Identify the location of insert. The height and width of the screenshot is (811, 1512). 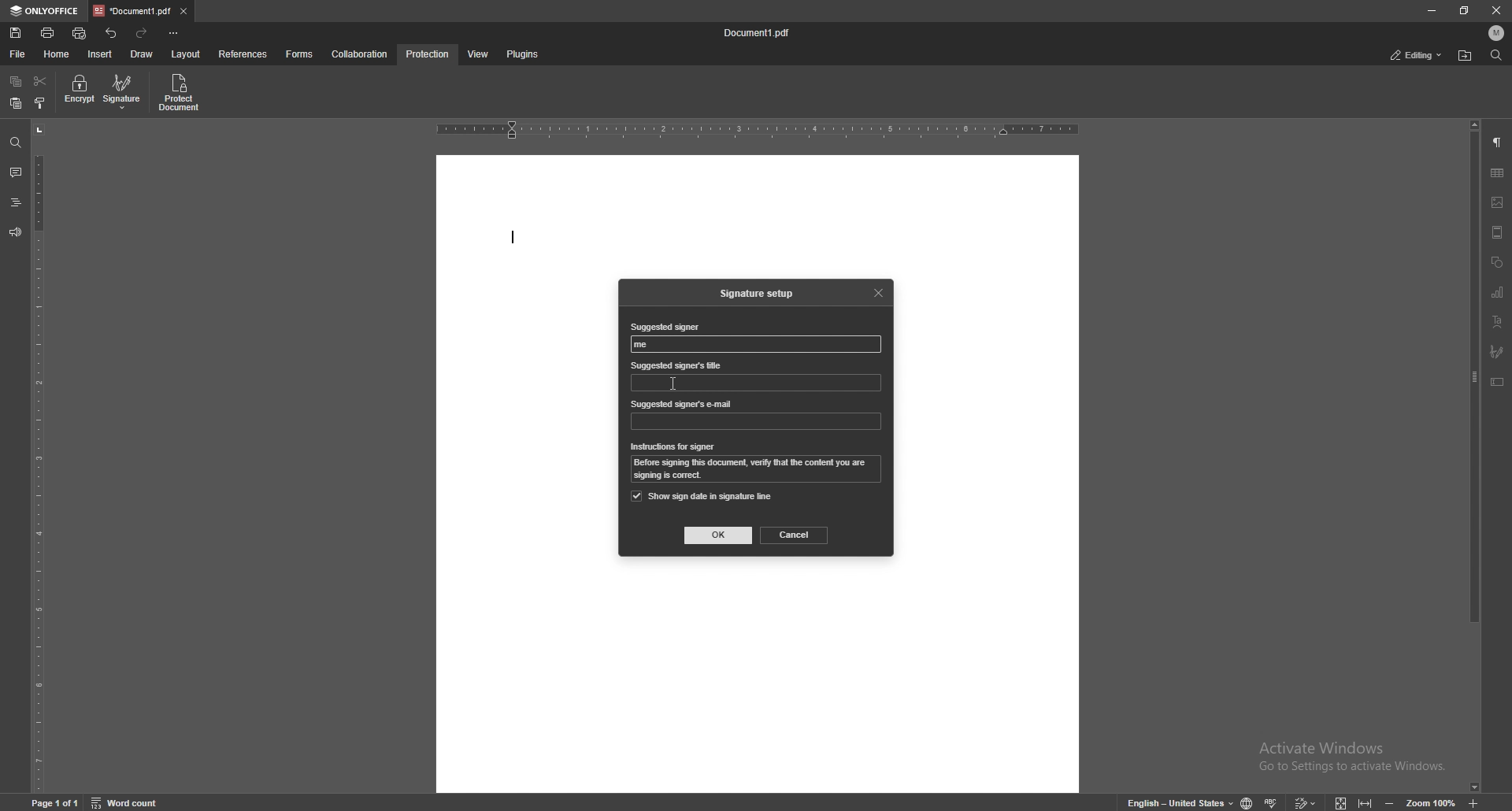
(102, 54).